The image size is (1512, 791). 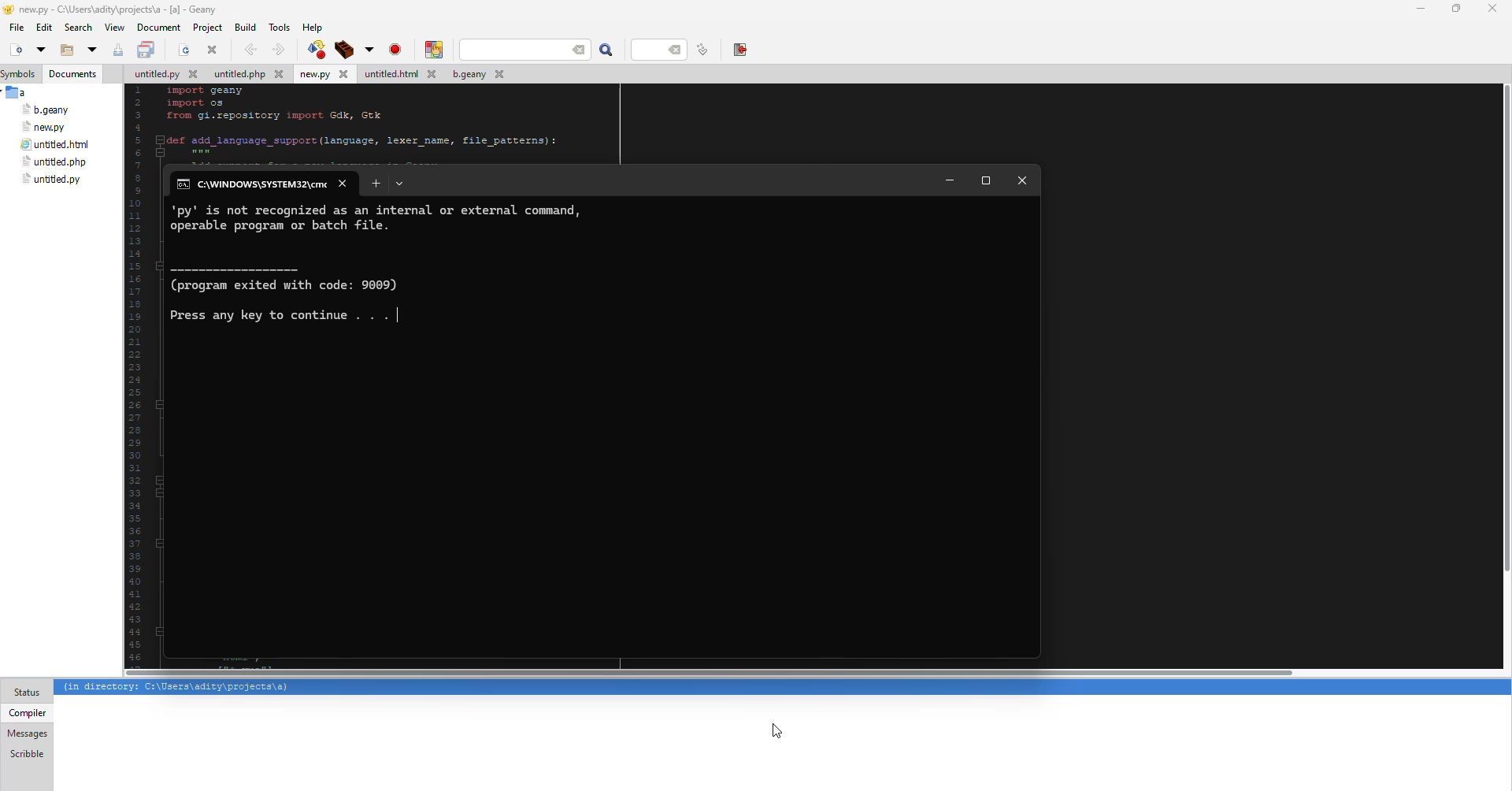 I want to click on a, so click(x=16, y=92).